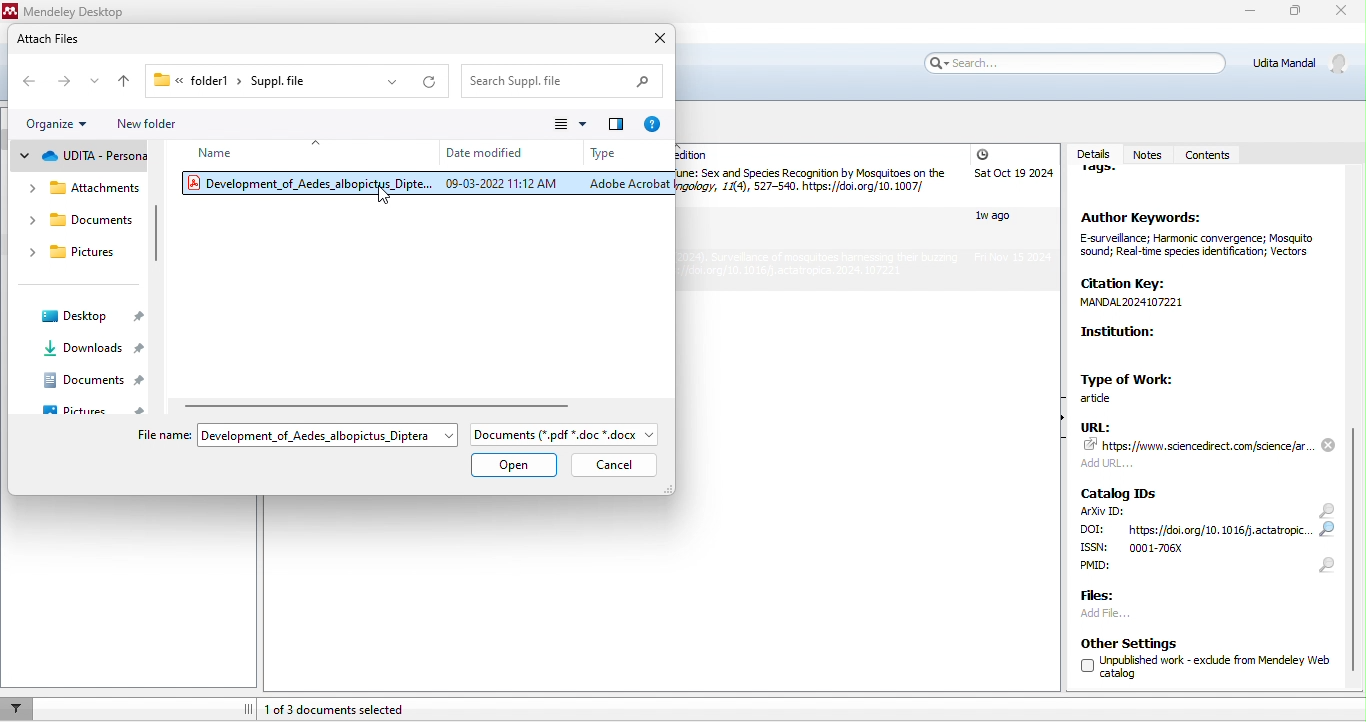  What do you see at coordinates (18, 708) in the screenshot?
I see `filter` at bounding box center [18, 708].